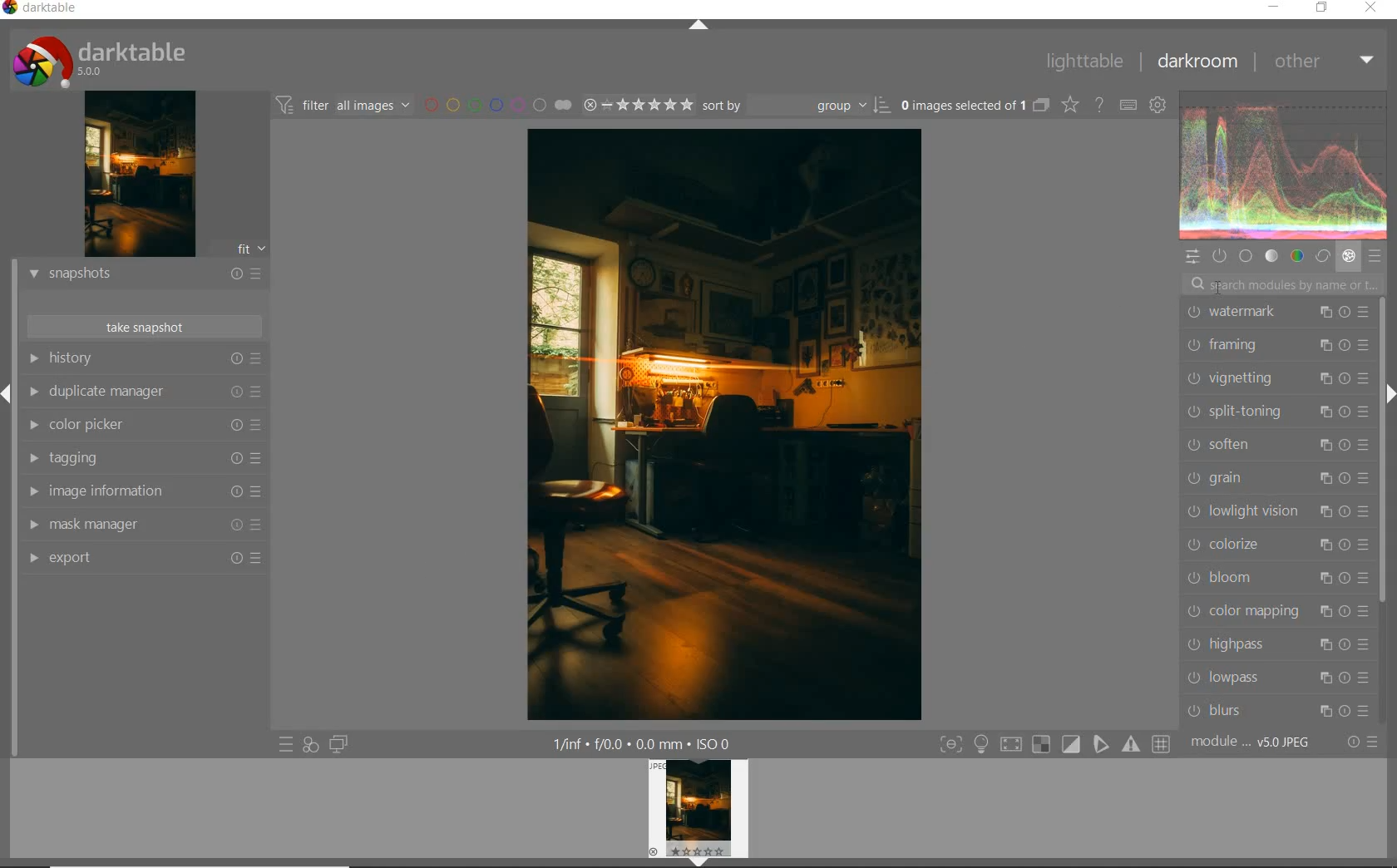 The image size is (1397, 868). I want to click on CURSOR, so click(1219, 287).